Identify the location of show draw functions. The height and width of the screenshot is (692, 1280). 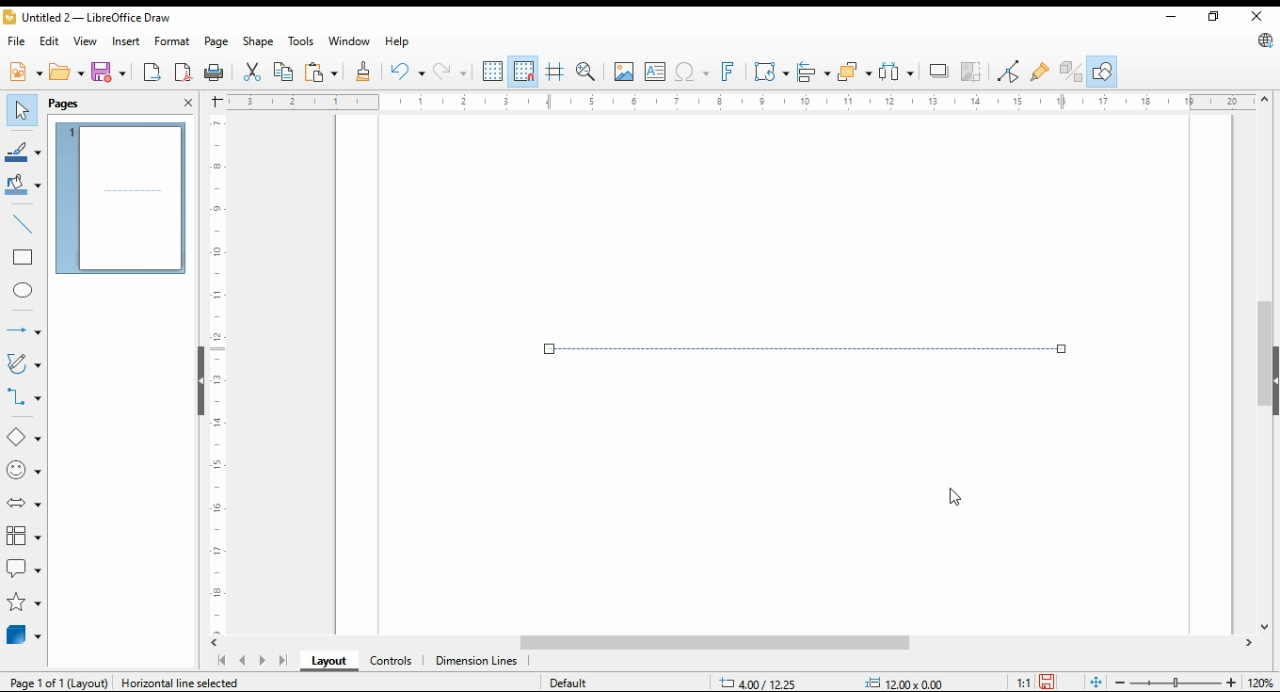
(1100, 72).